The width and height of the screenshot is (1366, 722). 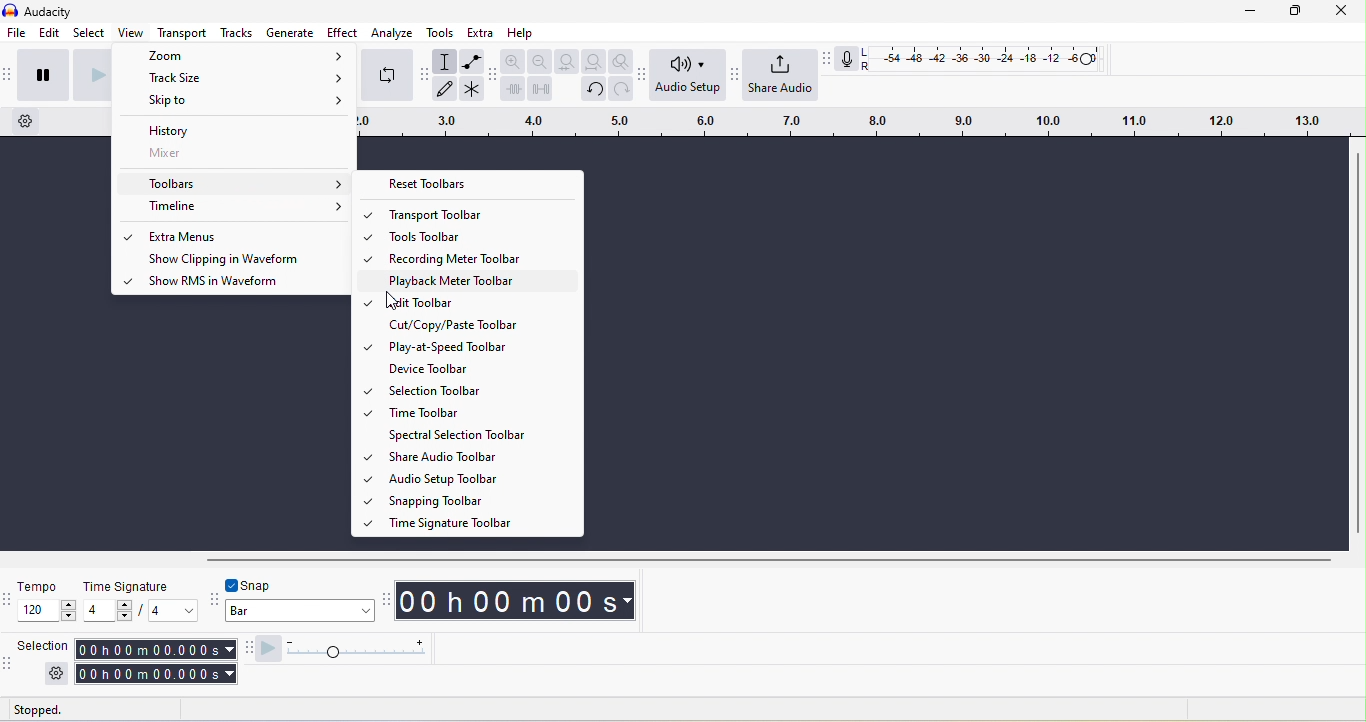 I want to click on horizontal scrollbar, so click(x=769, y=561).